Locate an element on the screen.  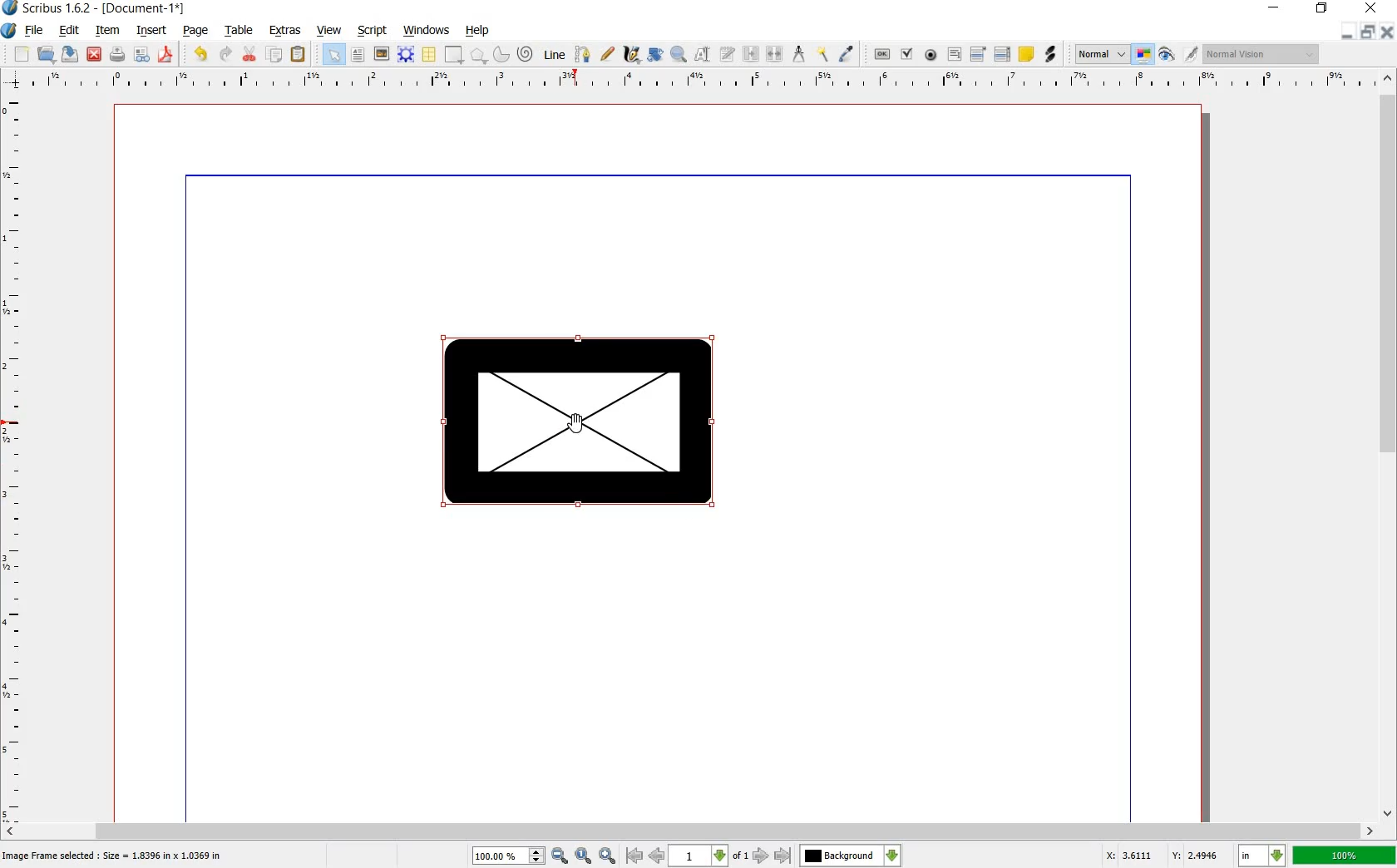
file is located at coordinates (34, 32).